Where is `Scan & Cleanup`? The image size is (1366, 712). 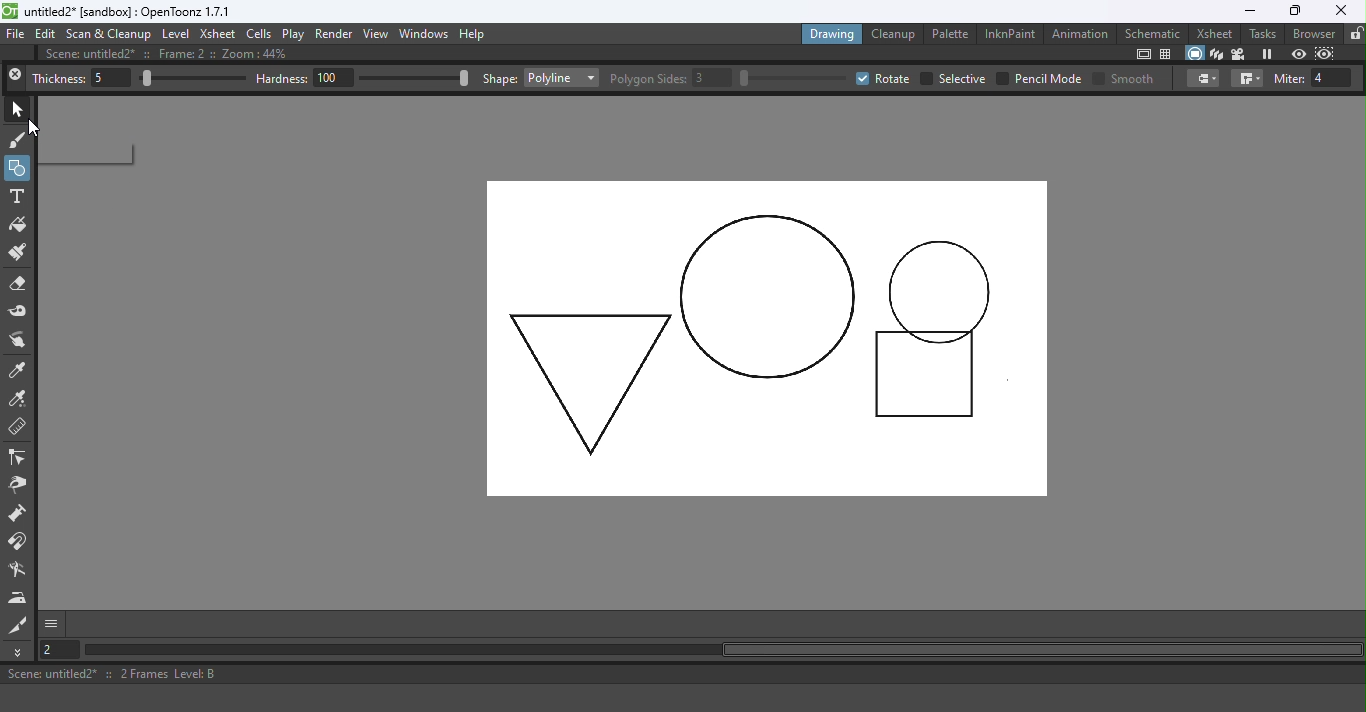
Scan & Cleanup is located at coordinates (109, 35).